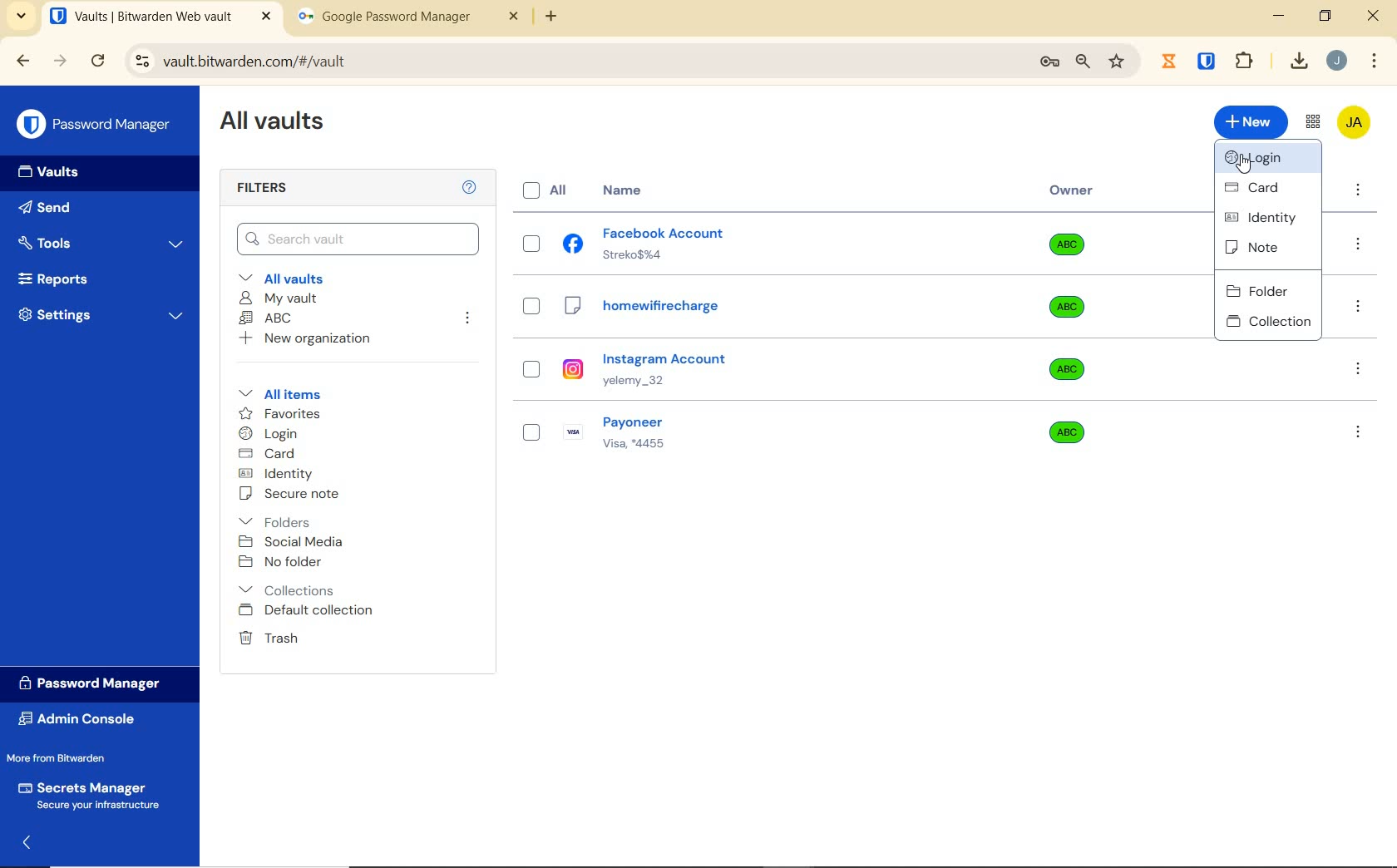 The width and height of the screenshot is (1397, 868). I want to click on check box, so click(528, 246).